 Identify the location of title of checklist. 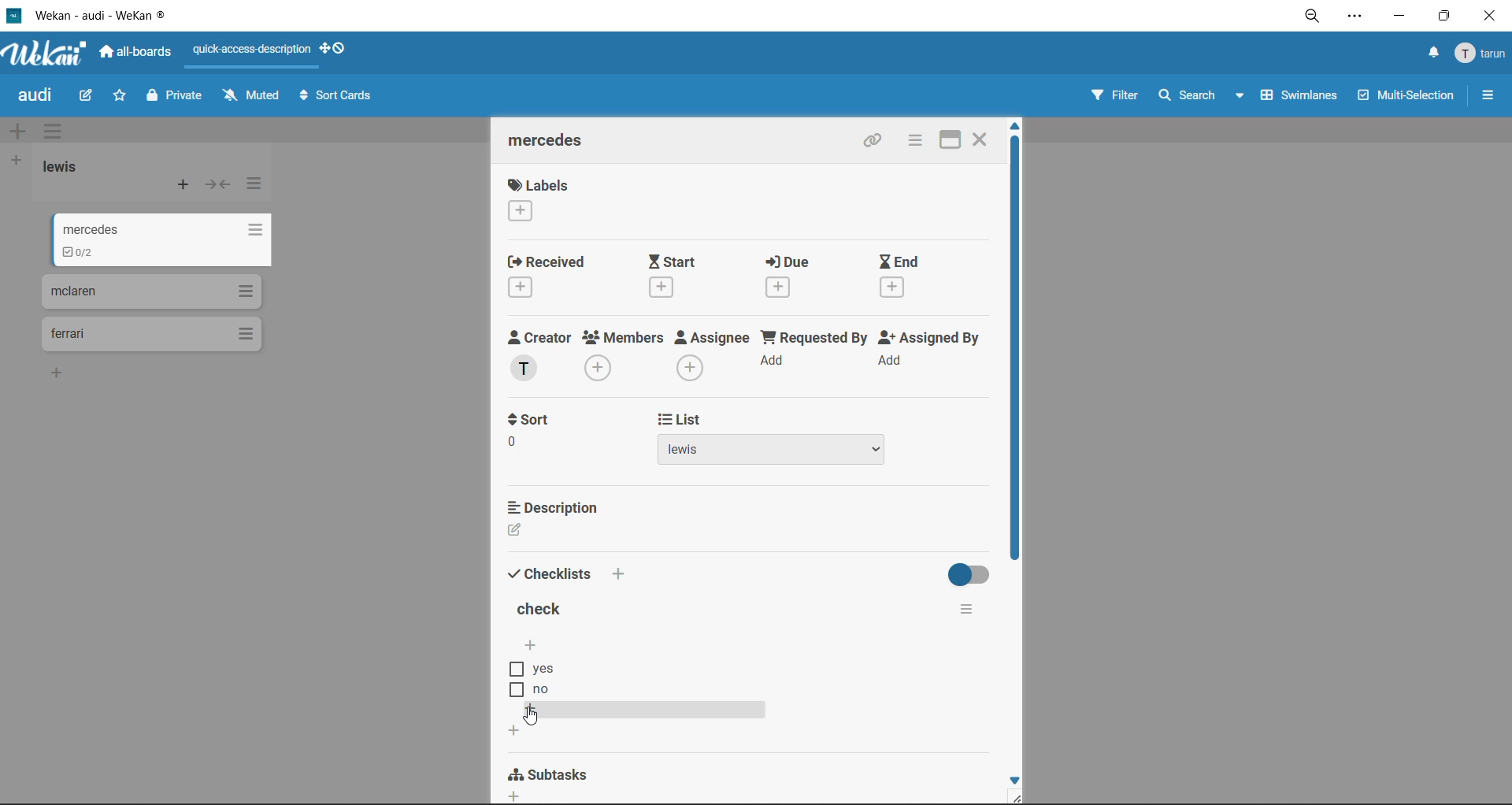
(547, 608).